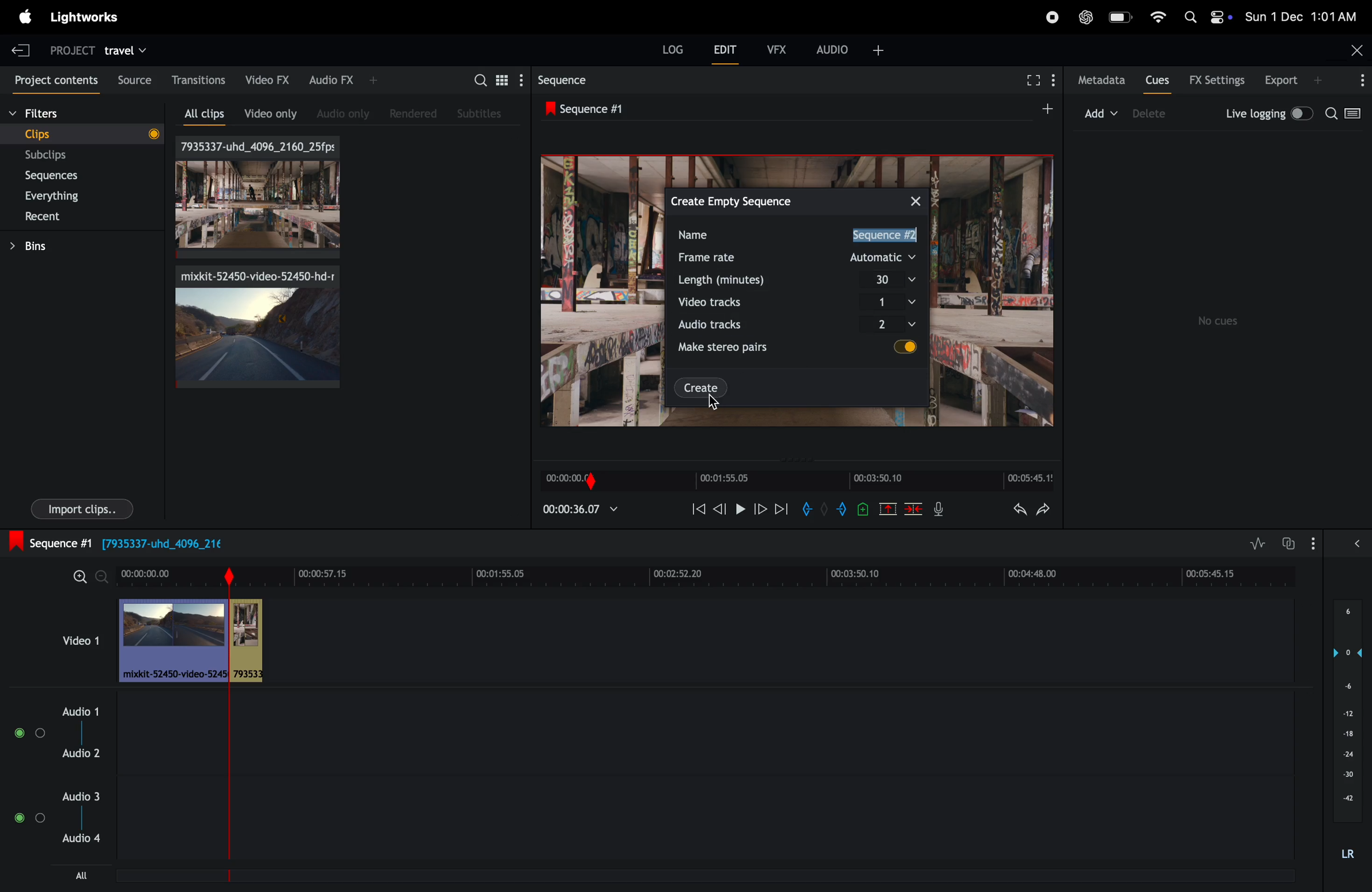  Describe the element at coordinates (1220, 321) in the screenshot. I see `no cues` at that location.